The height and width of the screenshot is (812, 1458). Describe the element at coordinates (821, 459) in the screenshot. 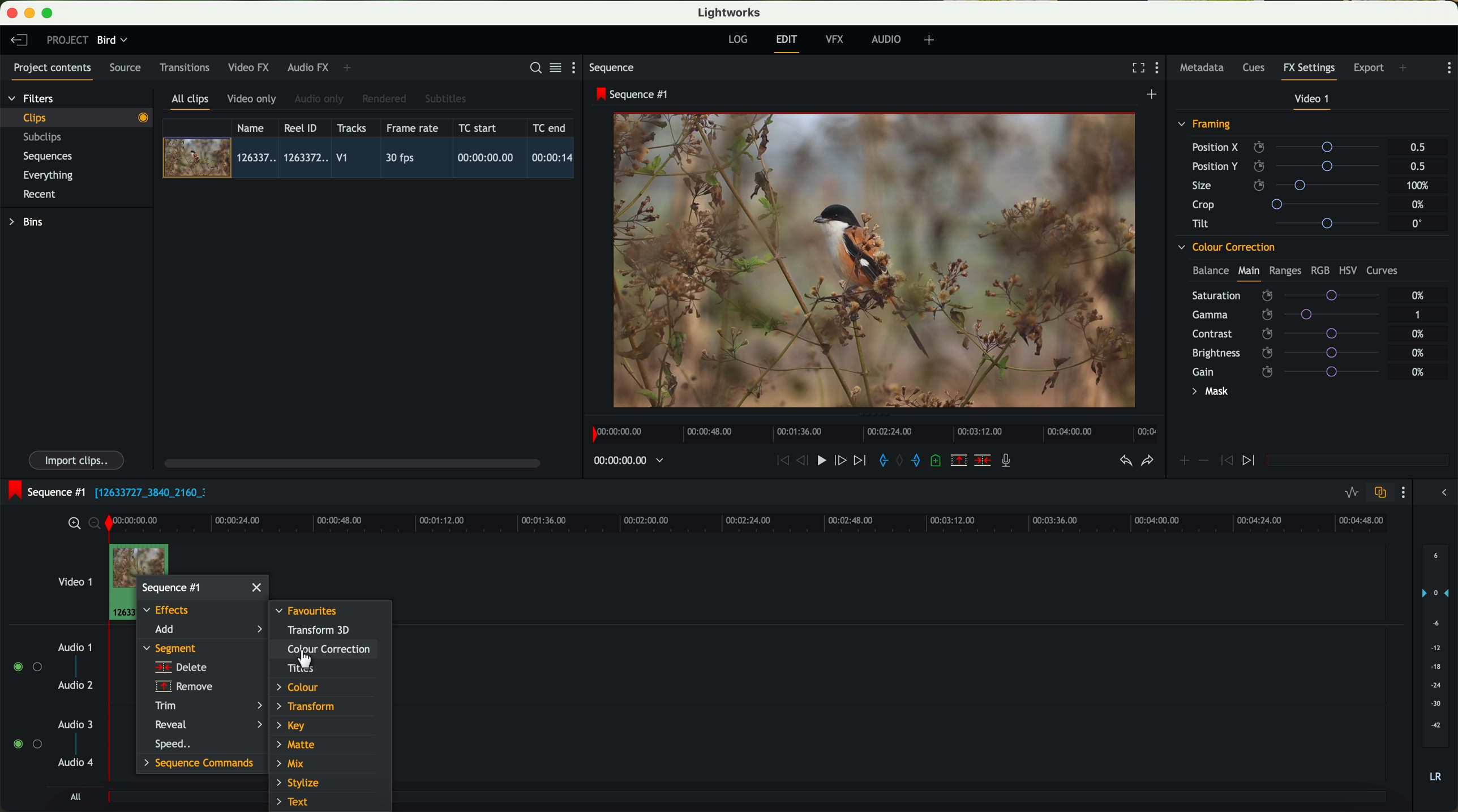

I see `play` at that location.